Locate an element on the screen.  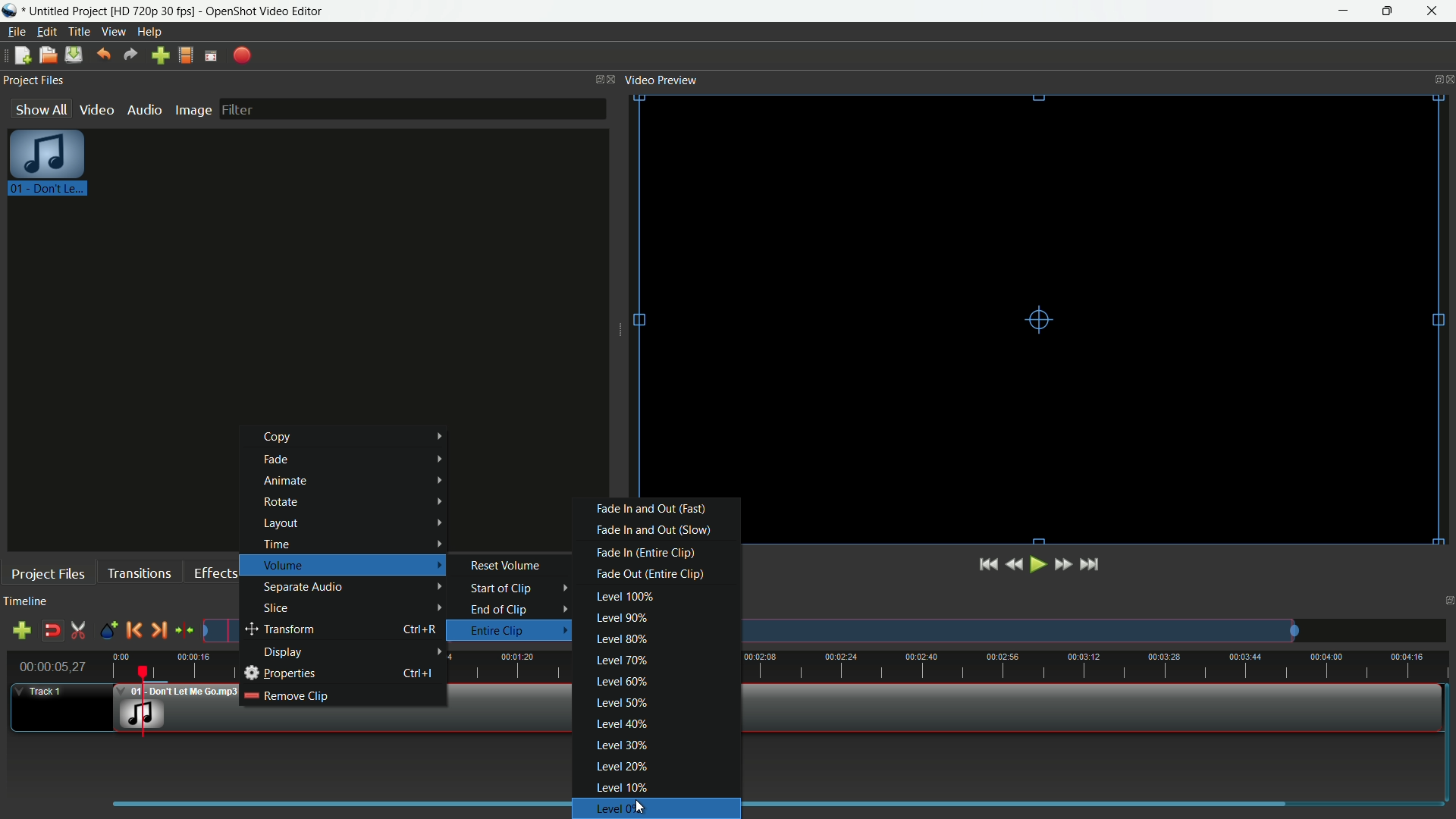
video preview is located at coordinates (661, 80).